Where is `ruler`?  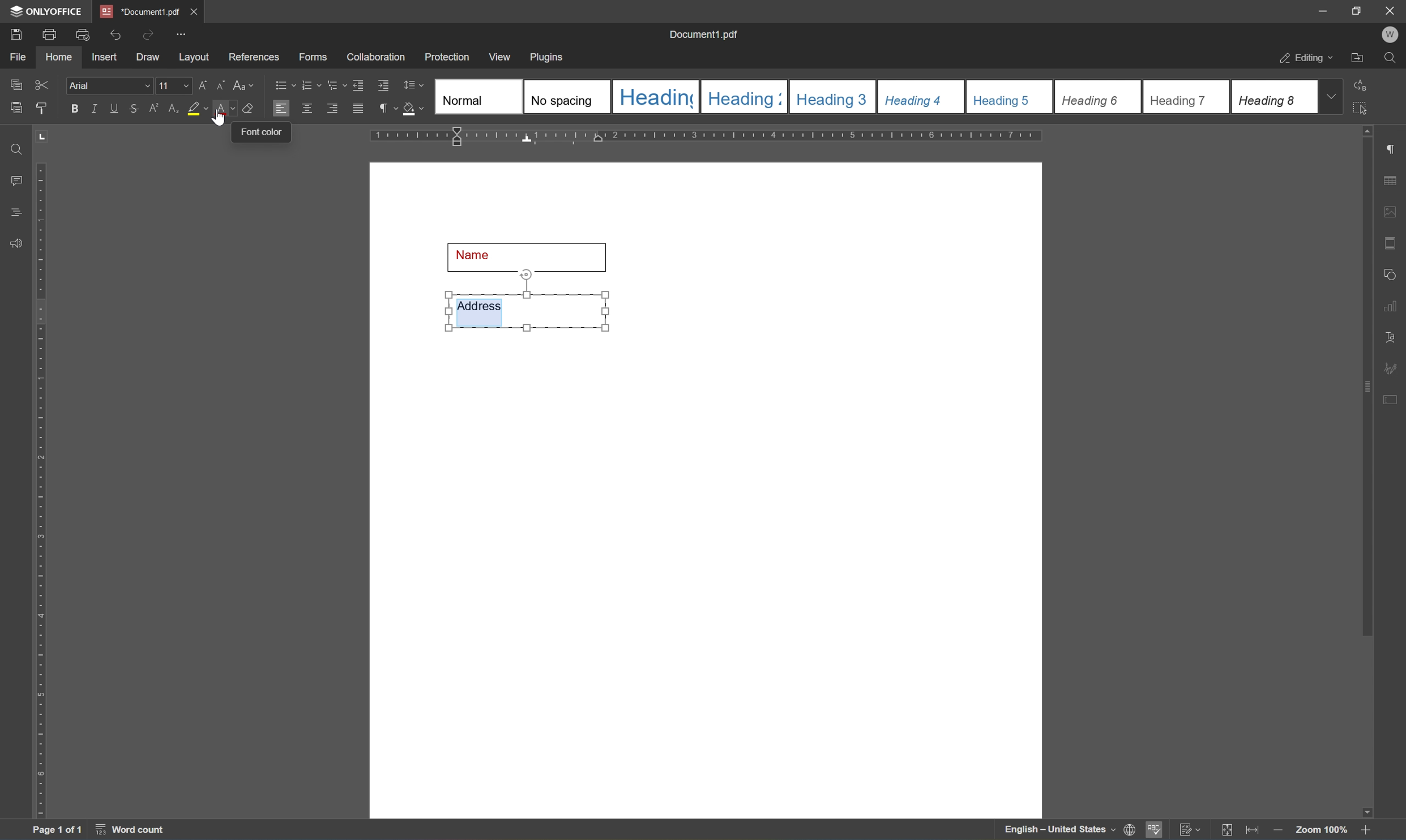
ruler is located at coordinates (708, 136).